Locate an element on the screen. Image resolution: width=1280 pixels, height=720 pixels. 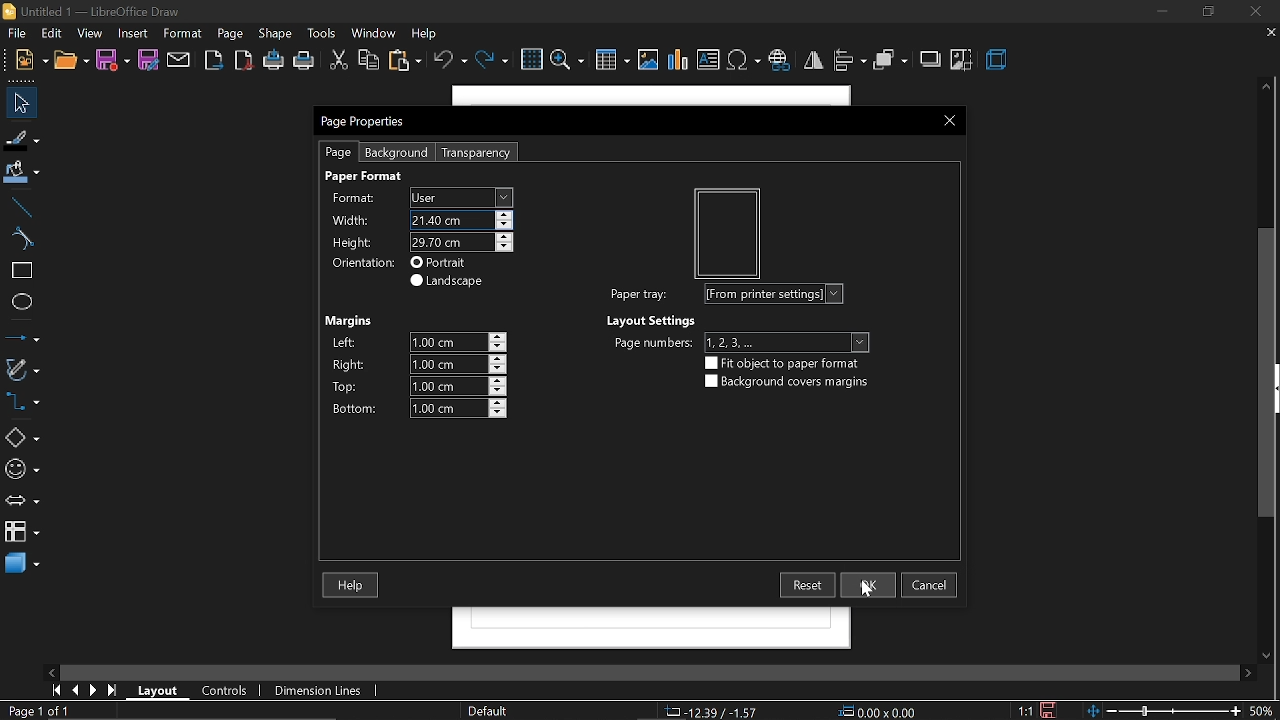
Page 1 of 1 - current page is located at coordinates (40, 711).